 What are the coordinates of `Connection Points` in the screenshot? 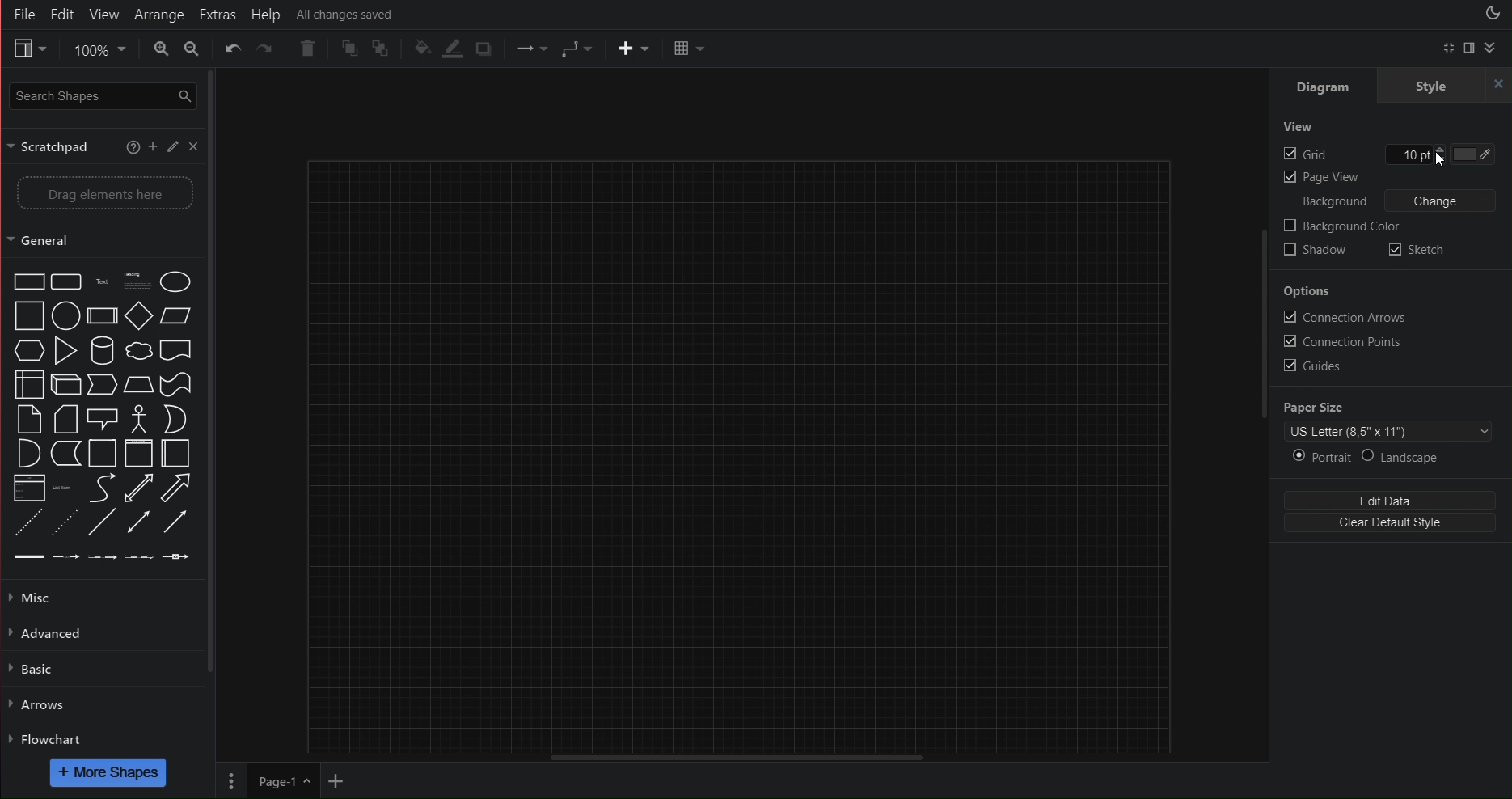 It's located at (1340, 340).